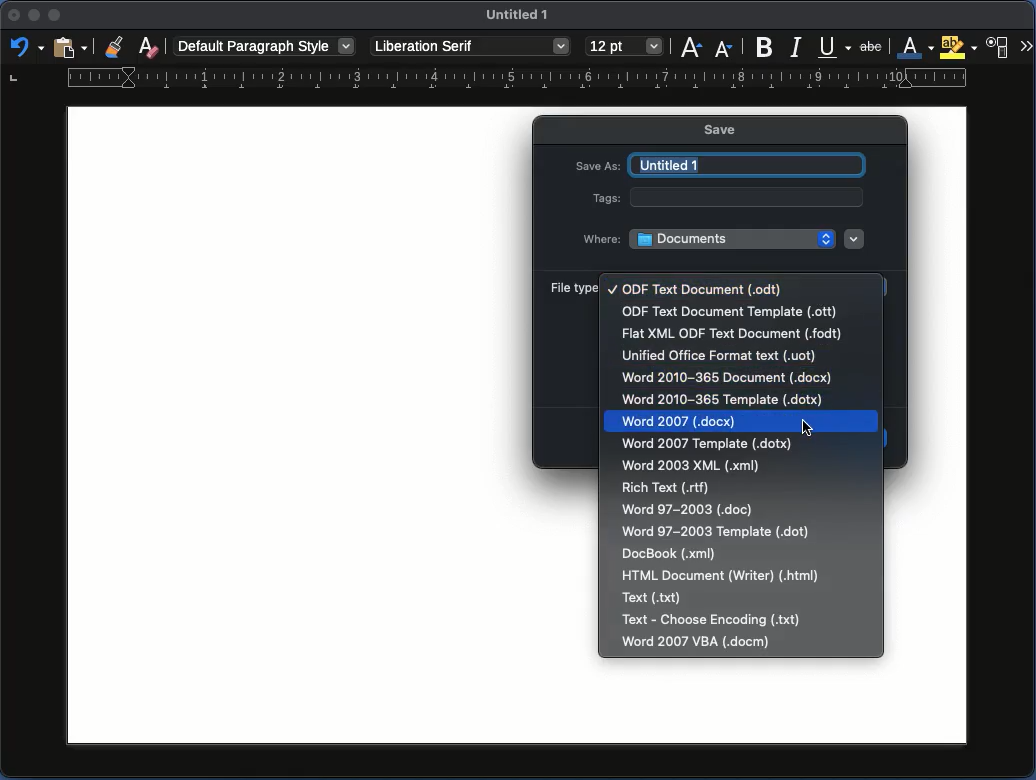 Image resolution: width=1036 pixels, height=780 pixels. What do you see at coordinates (601, 238) in the screenshot?
I see `Where` at bounding box center [601, 238].